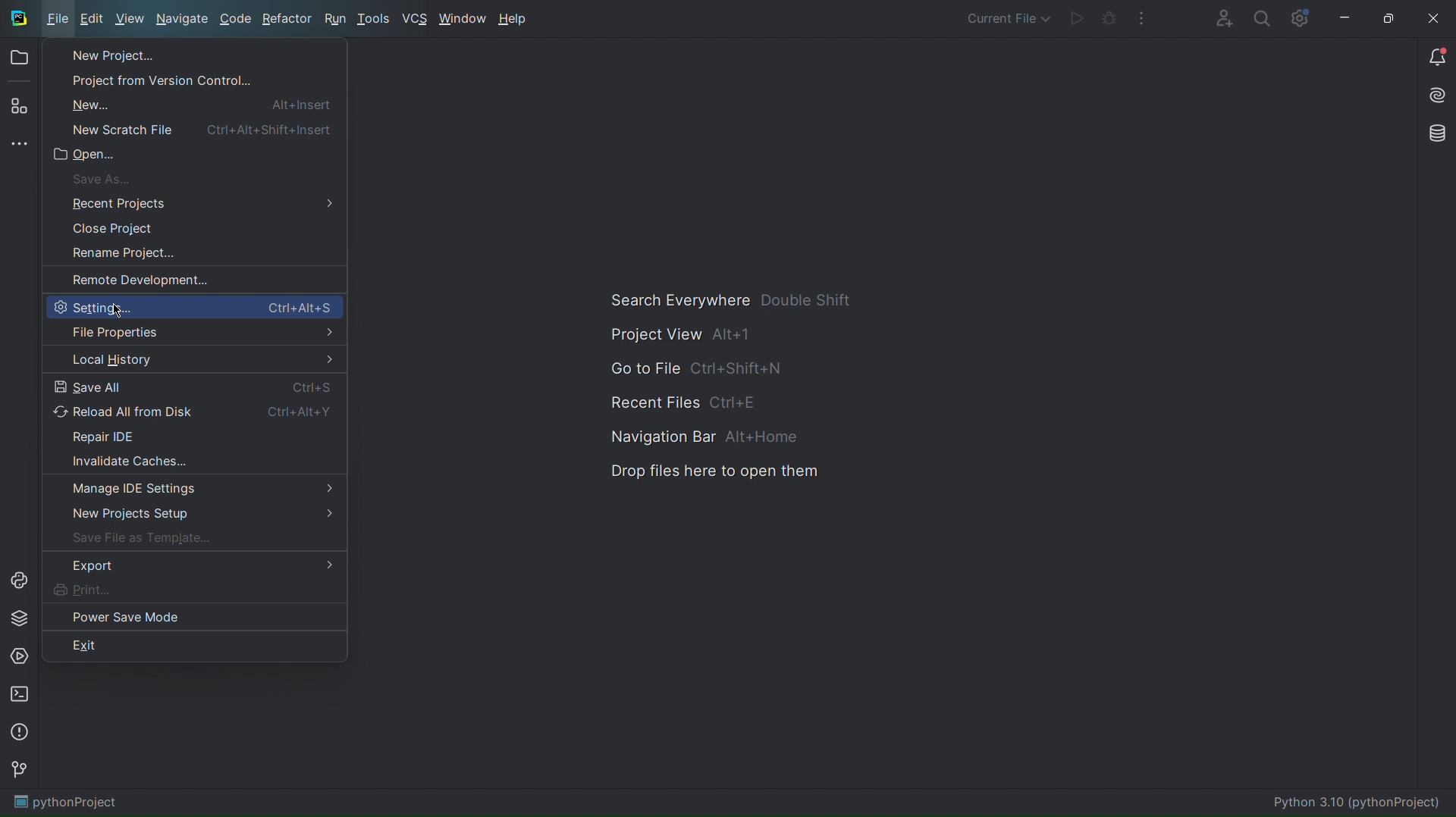 Image resolution: width=1456 pixels, height=817 pixels. I want to click on Python Packages, so click(21, 618).